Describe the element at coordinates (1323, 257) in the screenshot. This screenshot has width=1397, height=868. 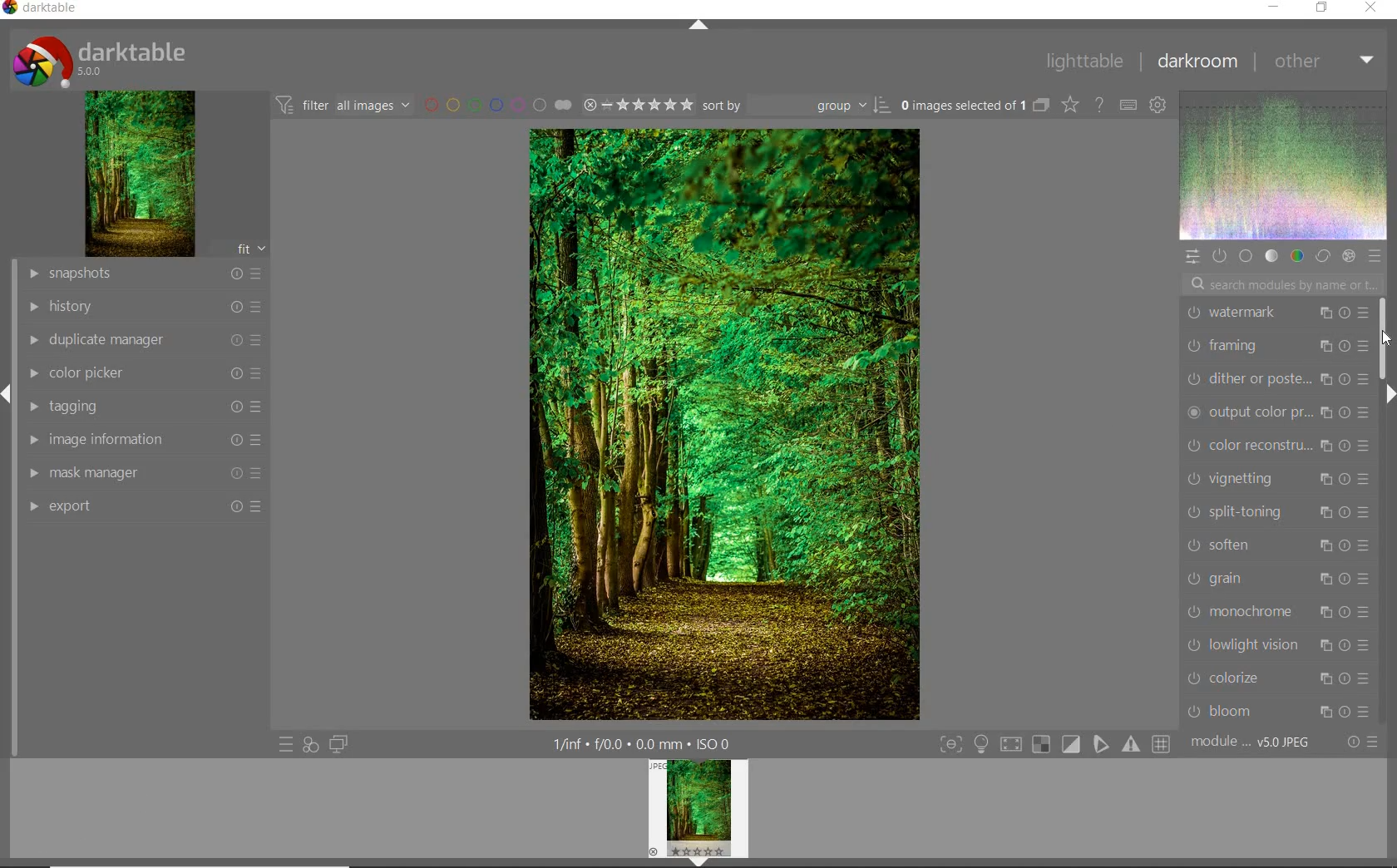
I see `CORRECT` at that location.